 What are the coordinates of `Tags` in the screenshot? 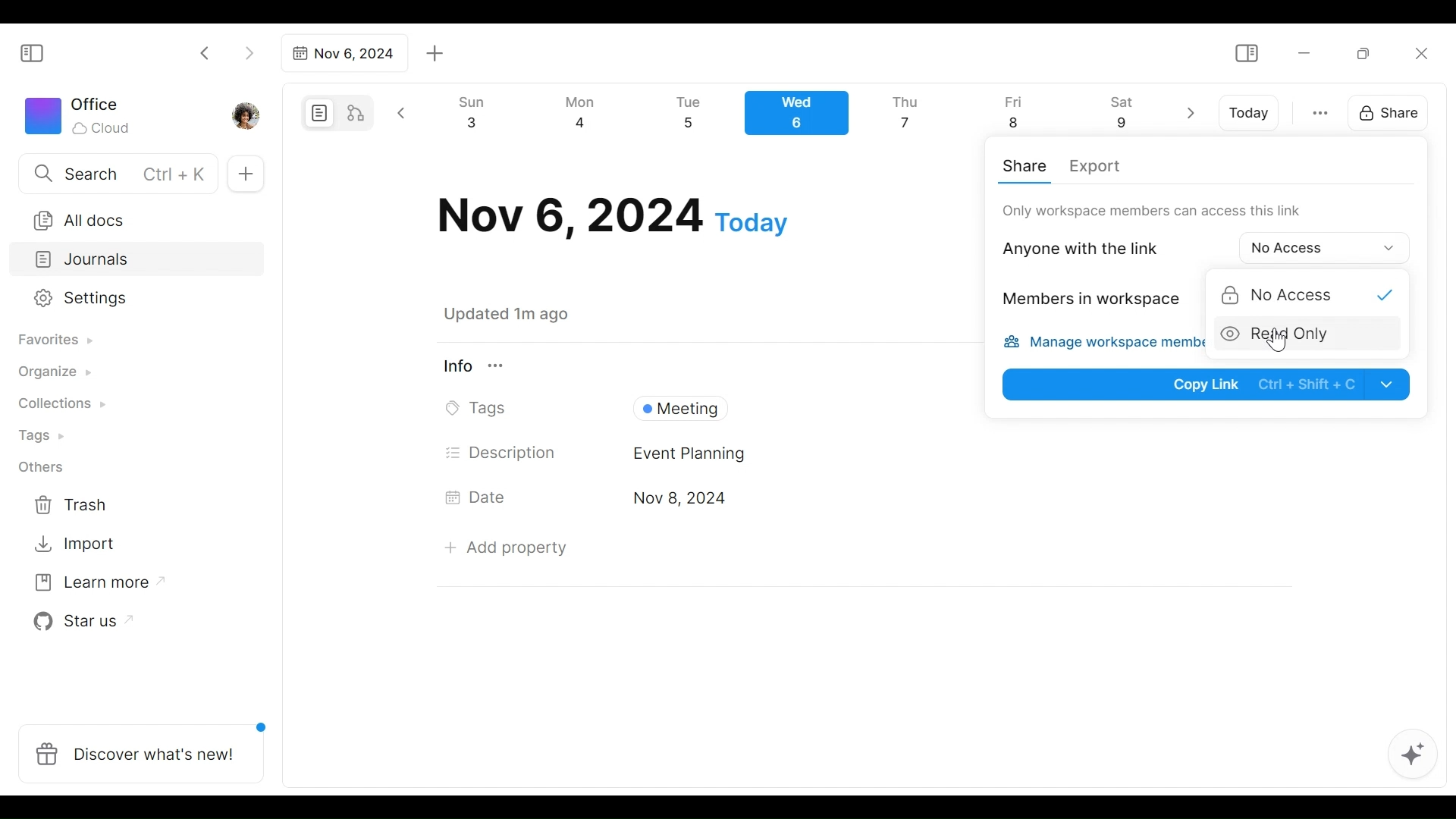 It's located at (480, 409).